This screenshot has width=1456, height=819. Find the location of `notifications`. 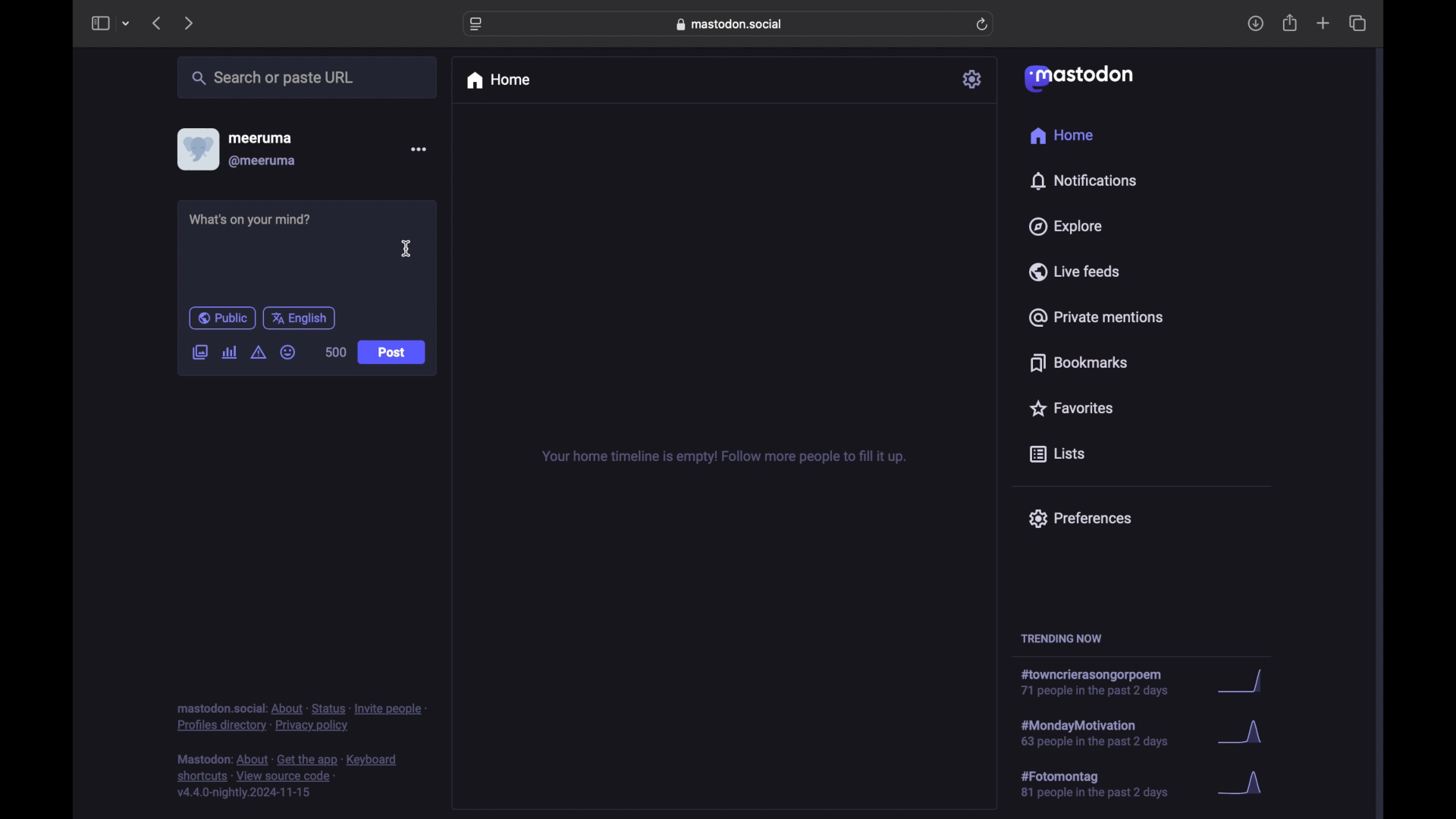

notifications is located at coordinates (1083, 181).